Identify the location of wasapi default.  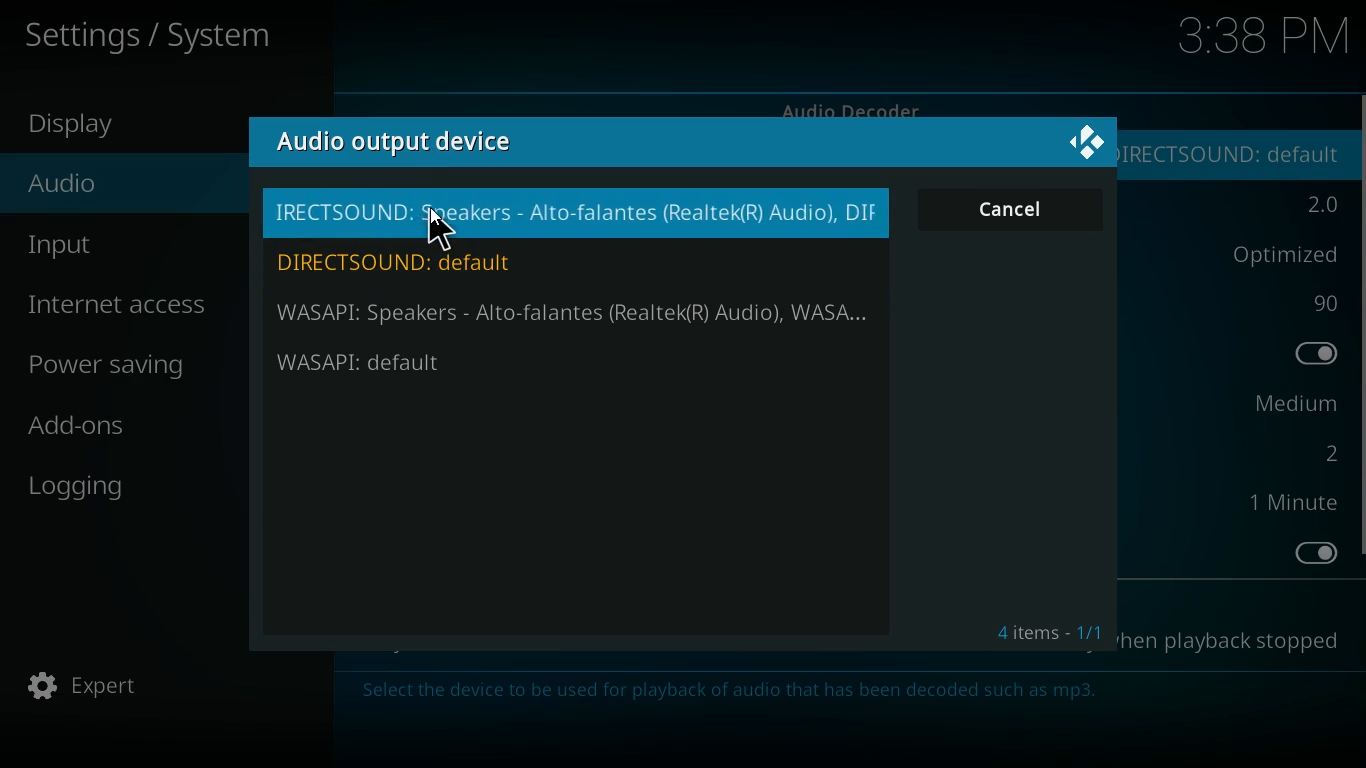
(436, 363).